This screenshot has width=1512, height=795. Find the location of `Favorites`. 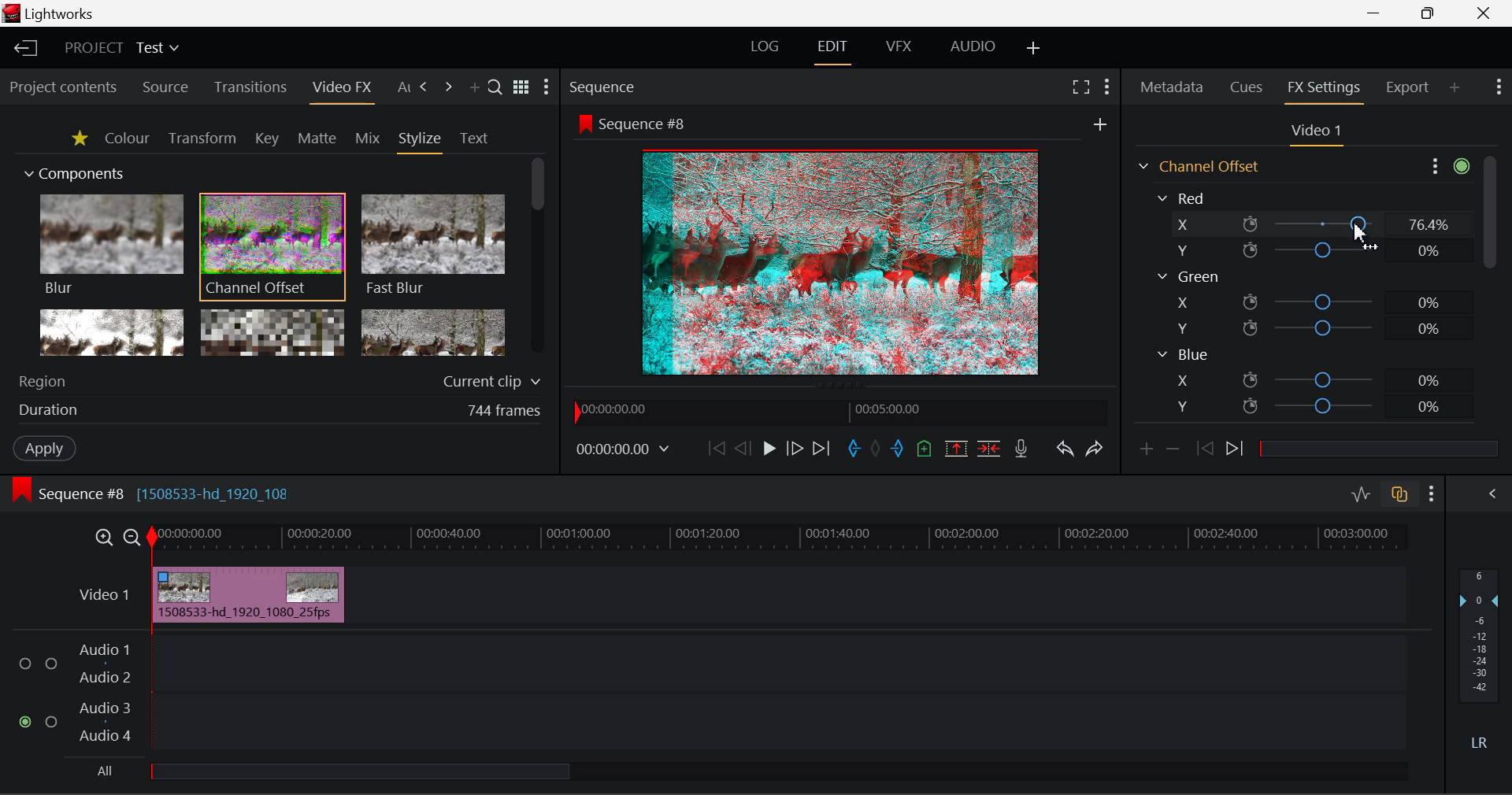

Favorites is located at coordinates (79, 140).